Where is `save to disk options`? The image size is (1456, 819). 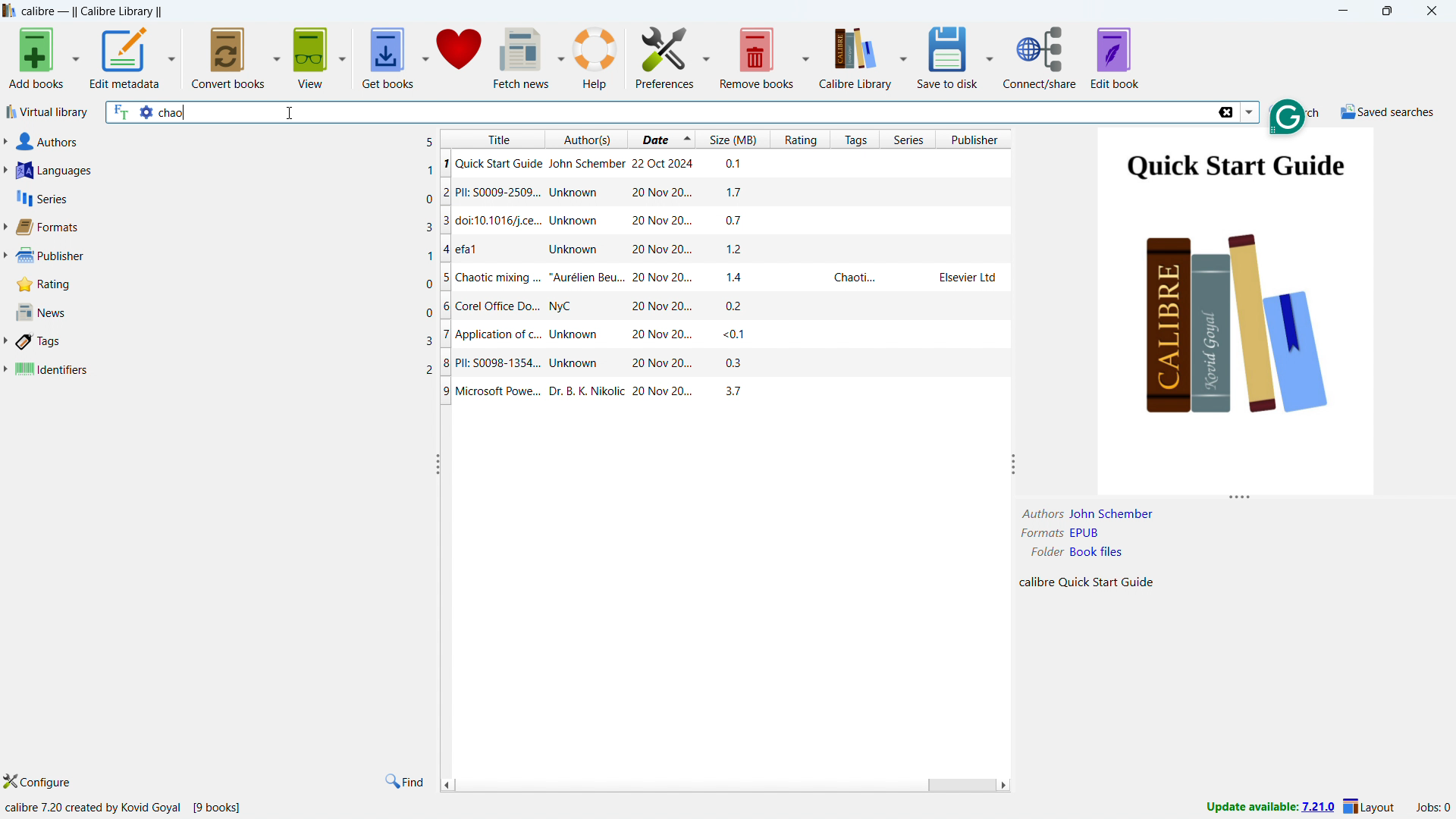
save to disk options is located at coordinates (990, 56).